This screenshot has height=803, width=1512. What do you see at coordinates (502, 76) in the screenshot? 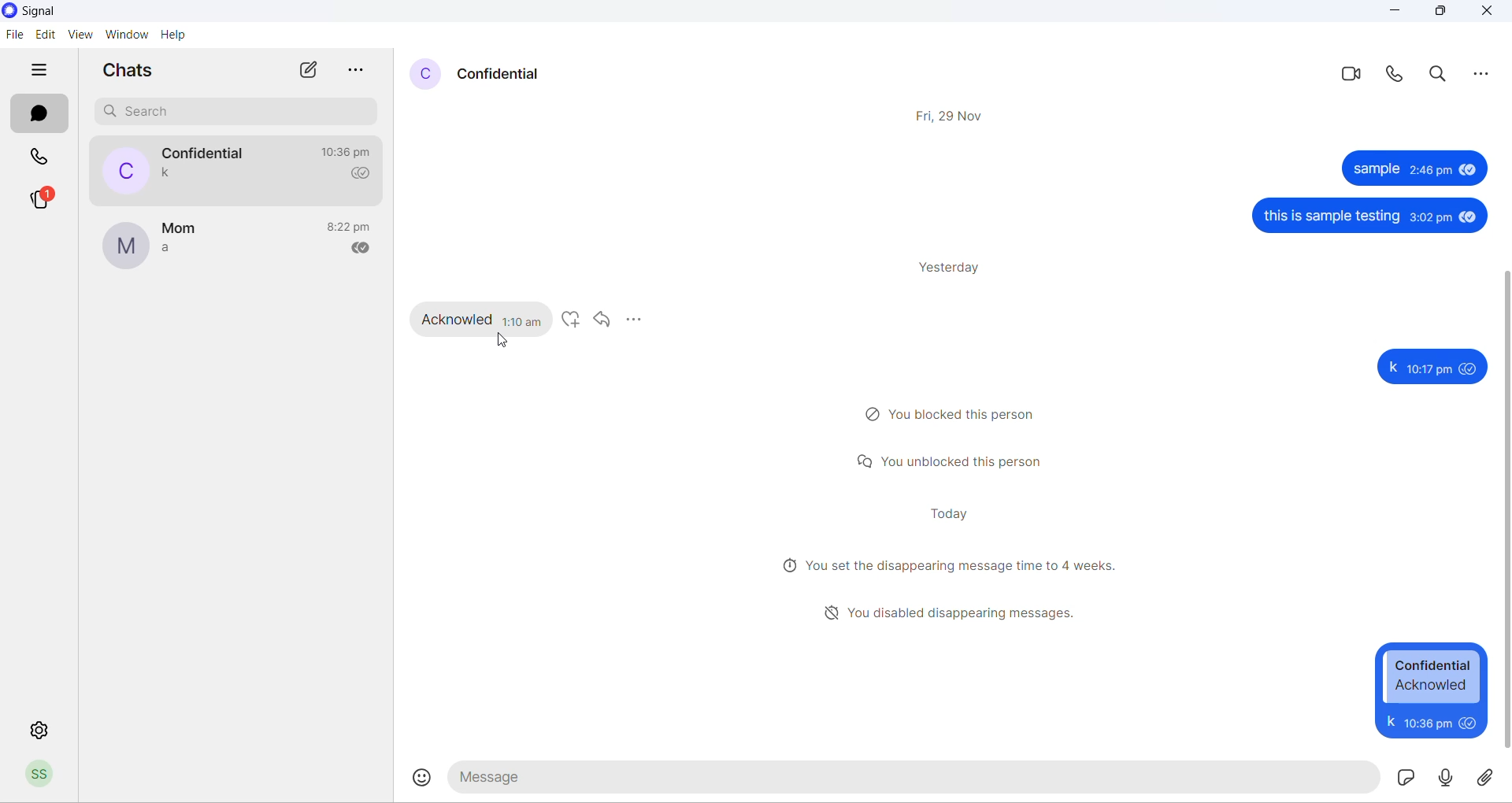
I see `contact name` at bounding box center [502, 76].